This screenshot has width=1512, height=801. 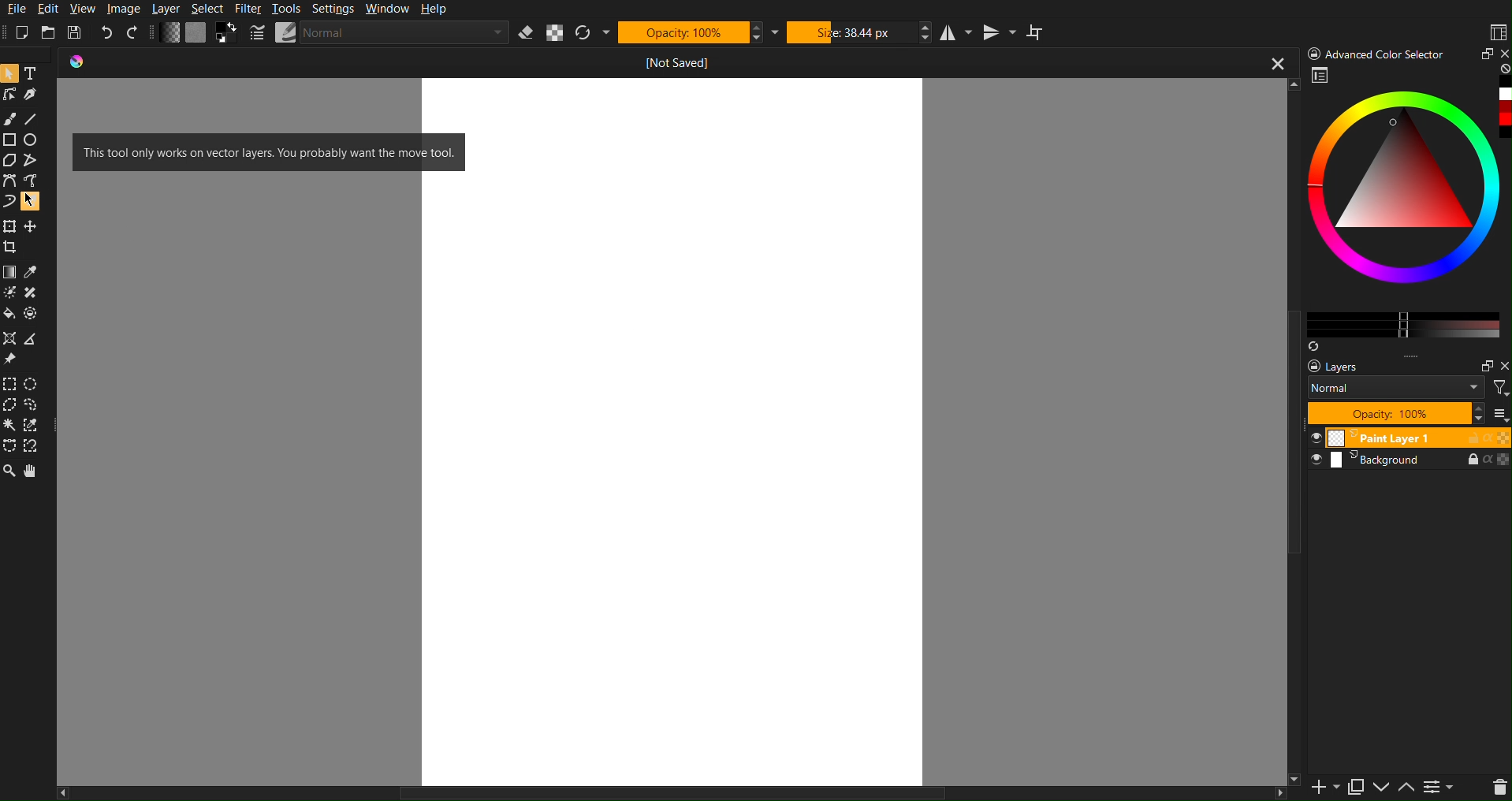 What do you see at coordinates (9, 472) in the screenshot?
I see `Zoom` at bounding box center [9, 472].